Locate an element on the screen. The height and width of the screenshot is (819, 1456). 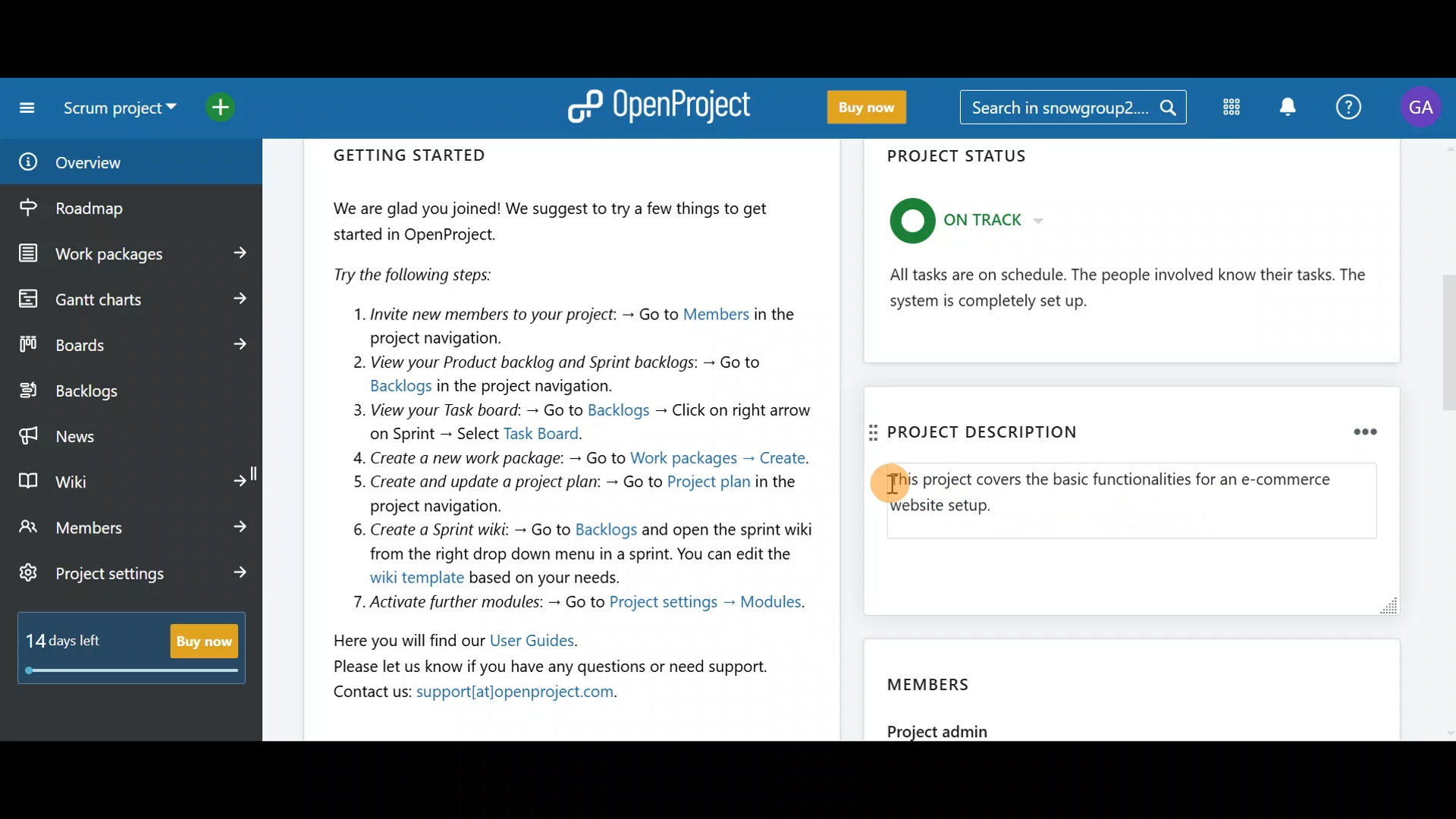
Collapse project menu is located at coordinates (24, 108).